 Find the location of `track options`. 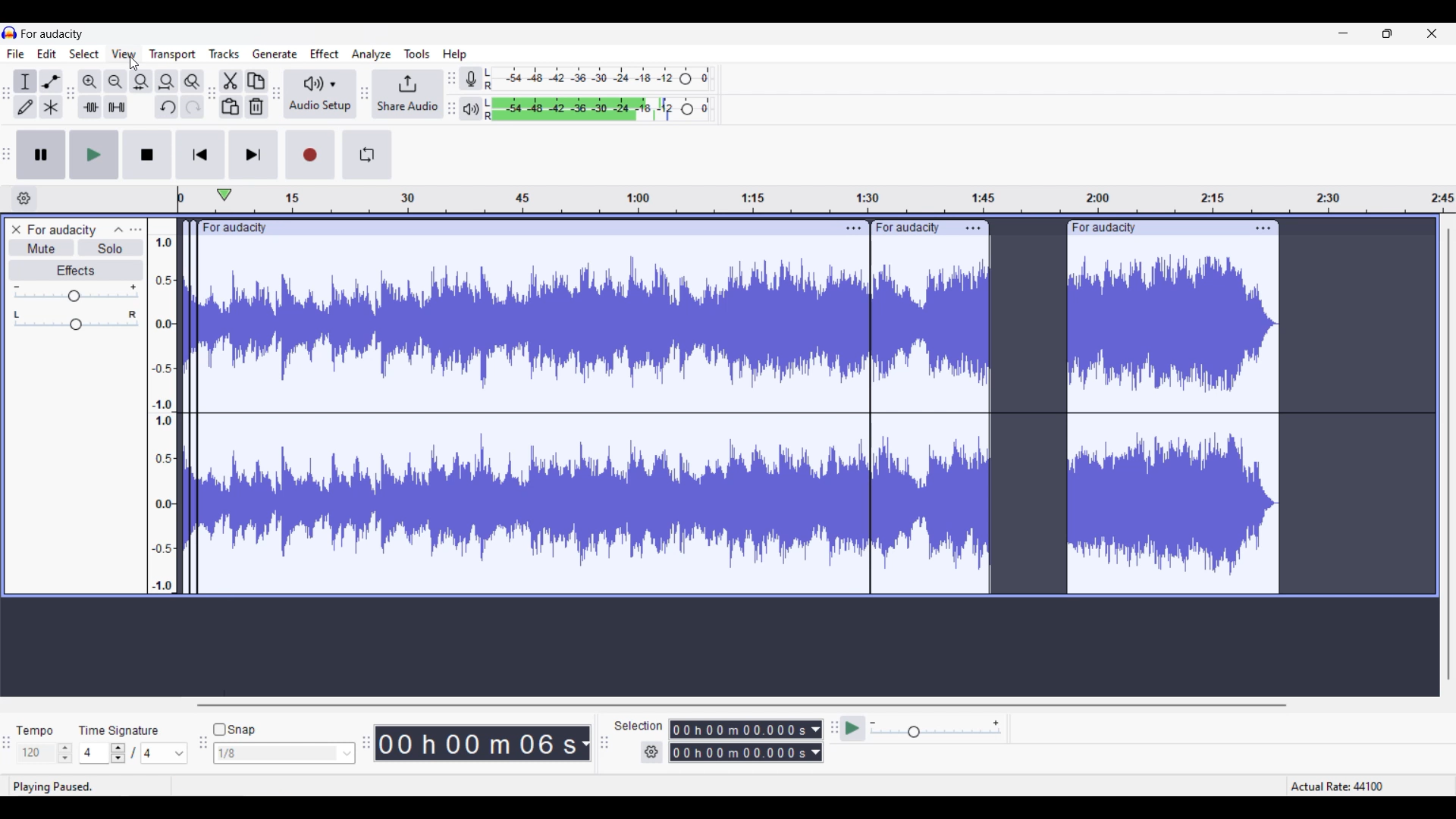

track options is located at coordinates (974, 227).